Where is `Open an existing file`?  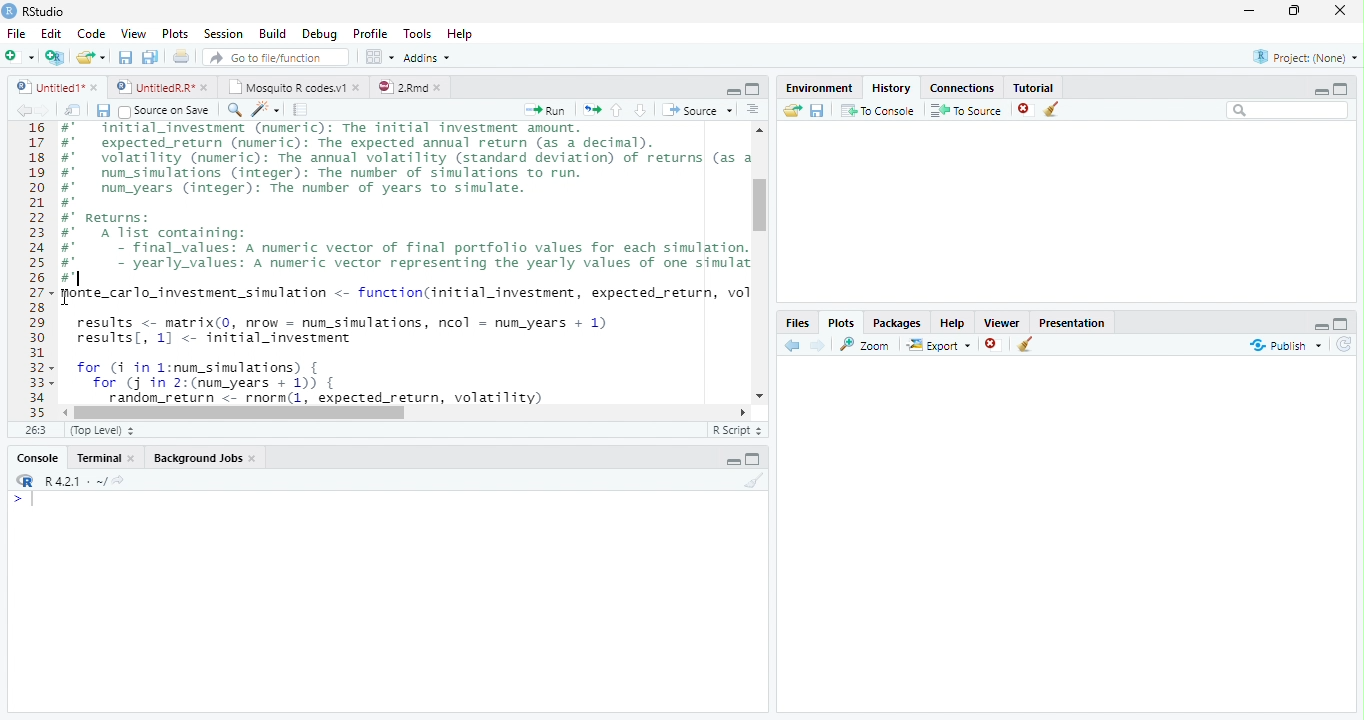 Open an existing file is located at coordinates (91, 56).